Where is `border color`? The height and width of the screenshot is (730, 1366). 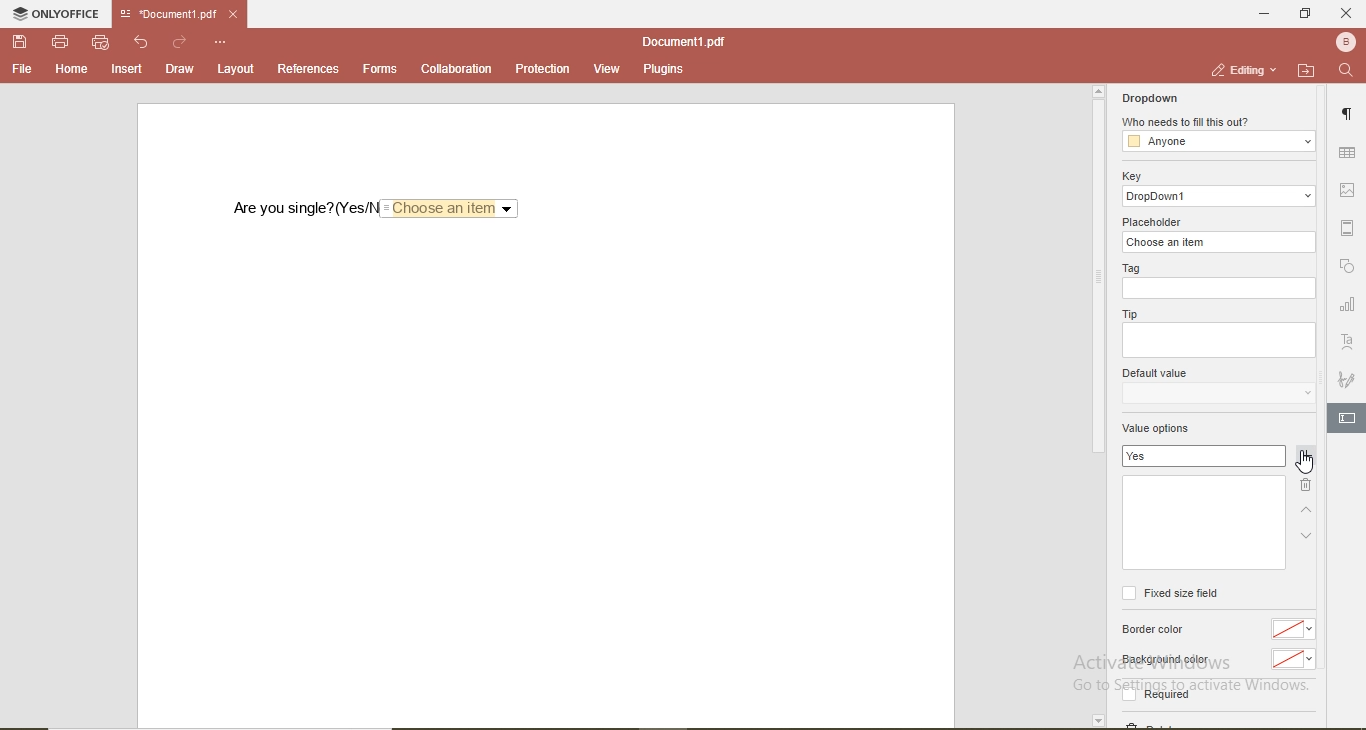 border color is located at coordinates (1154, 632).